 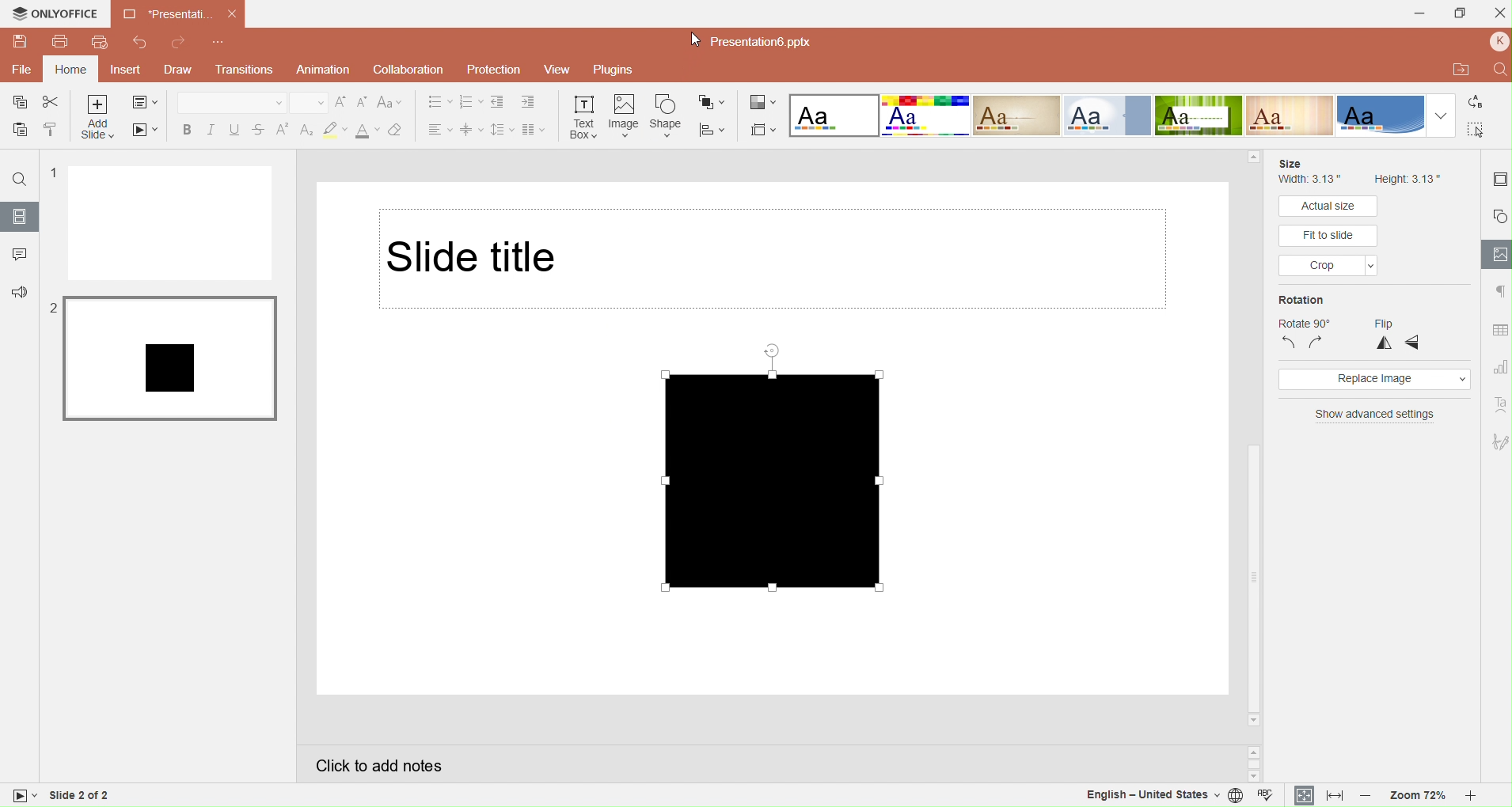 I want to click on 2, so click(x=50, y=309).